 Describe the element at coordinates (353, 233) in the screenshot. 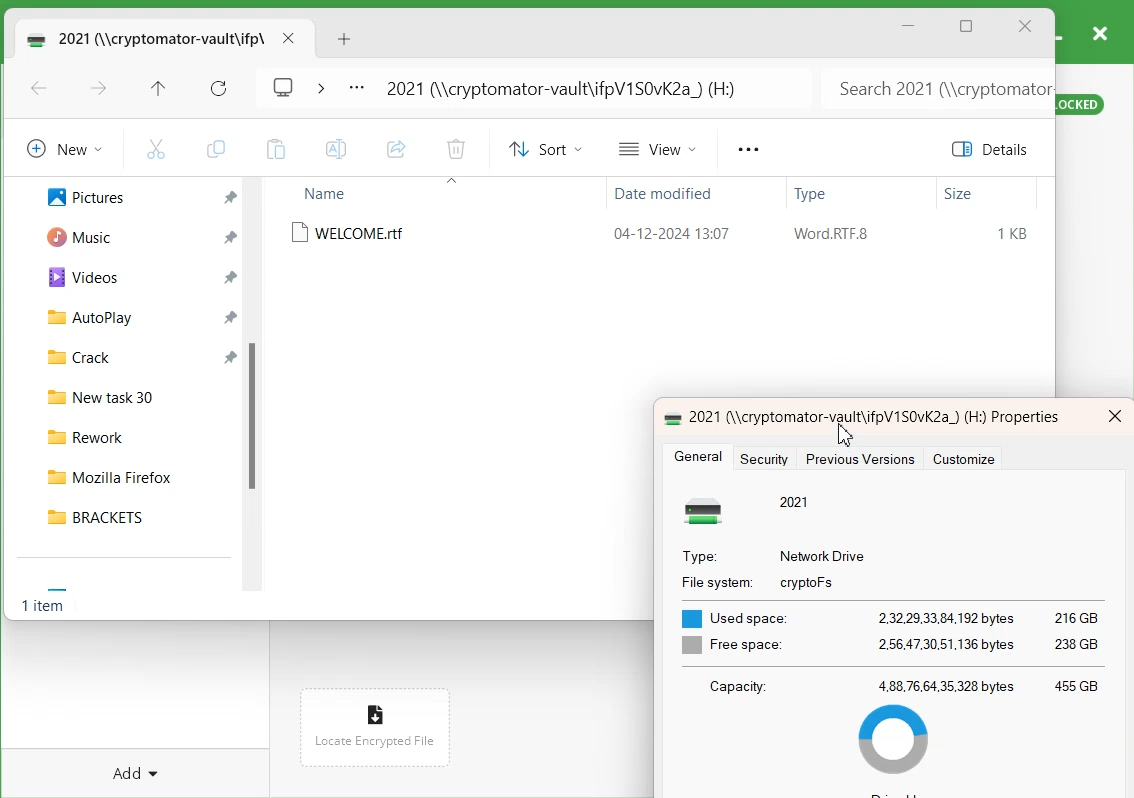

I see `Welcome.rtf` at that location.